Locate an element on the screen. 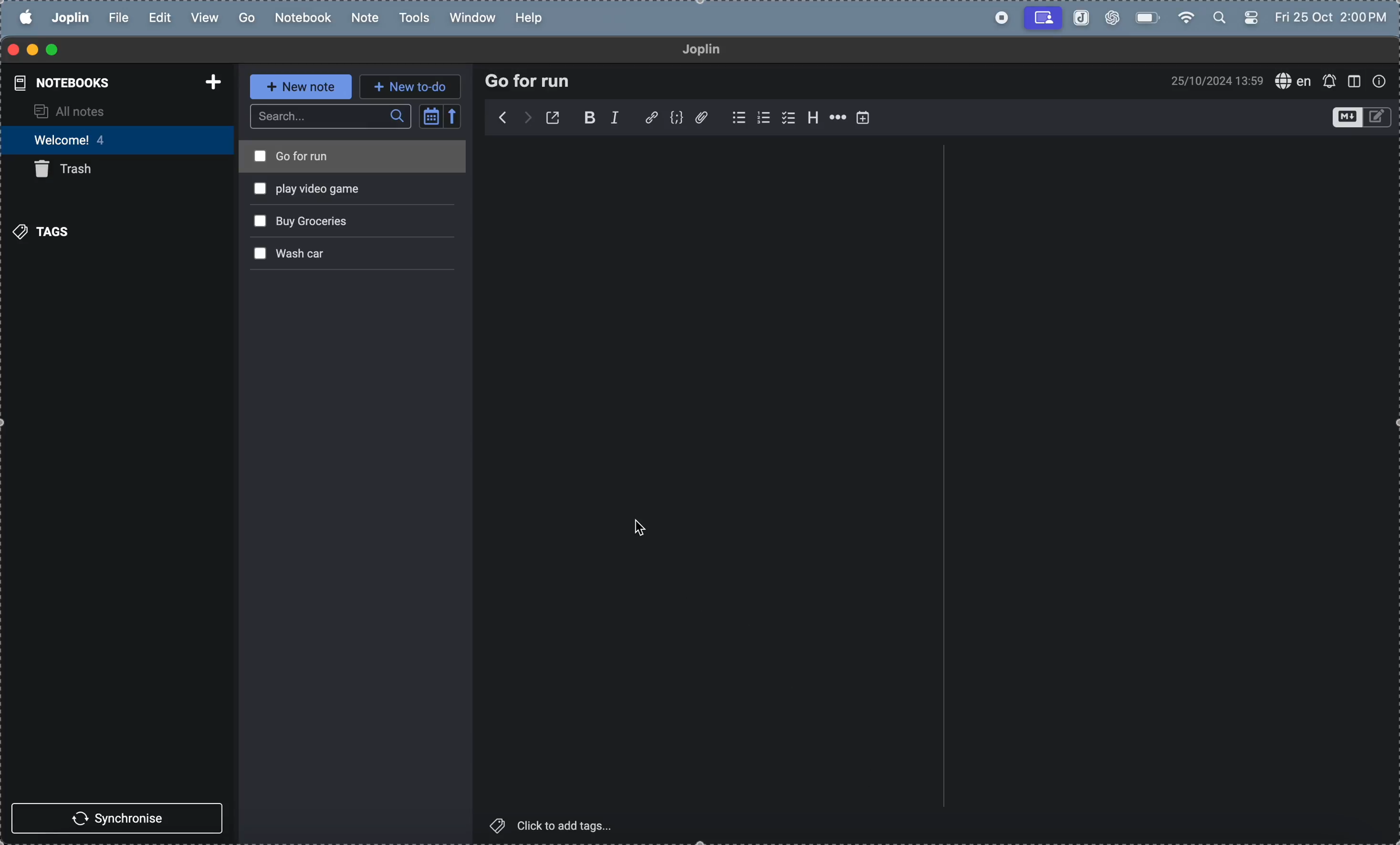 The image size is (1400, 845). window is located at coordinates (470, 18).